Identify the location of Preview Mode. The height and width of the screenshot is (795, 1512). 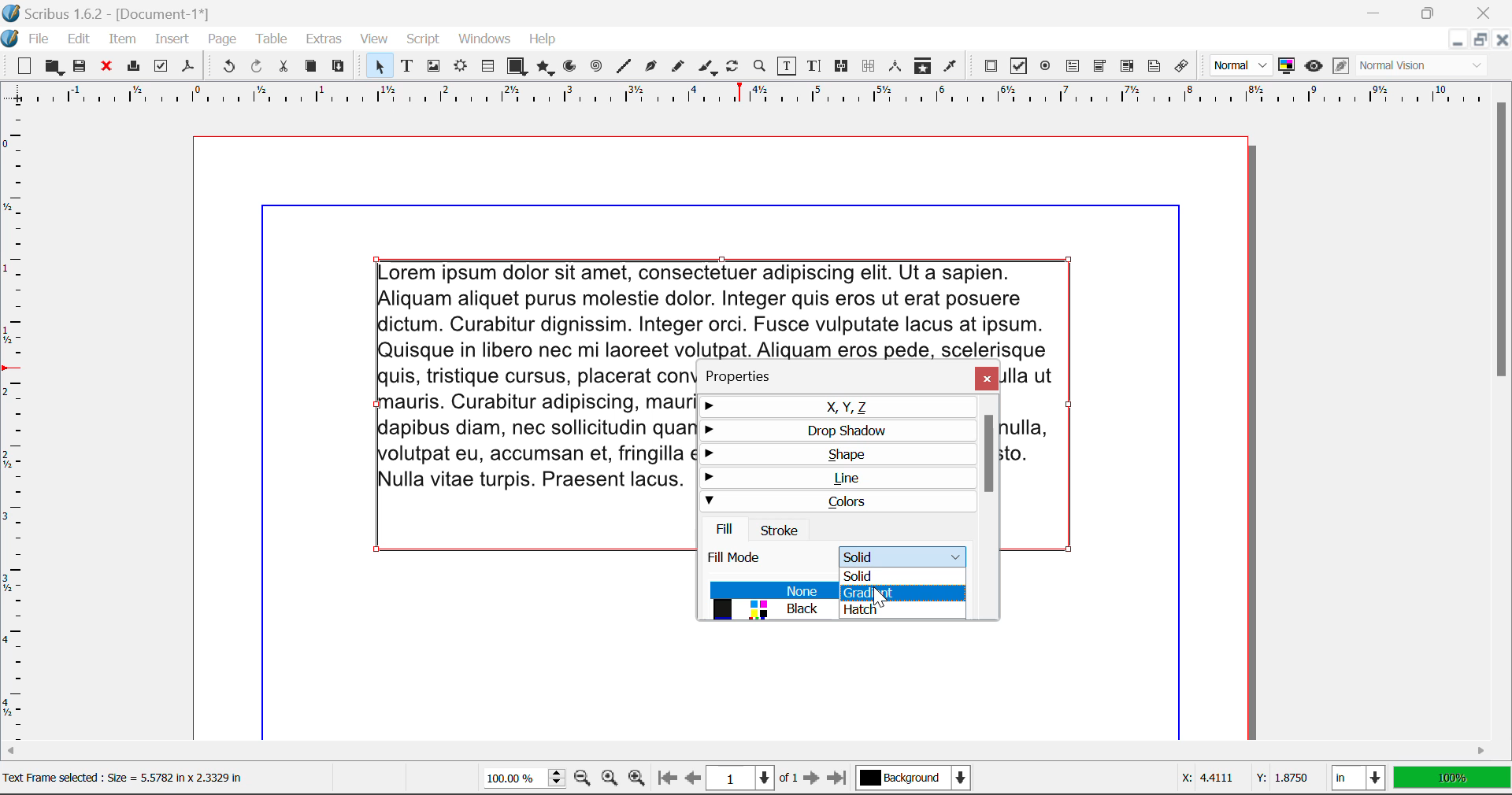
(1241, 65).